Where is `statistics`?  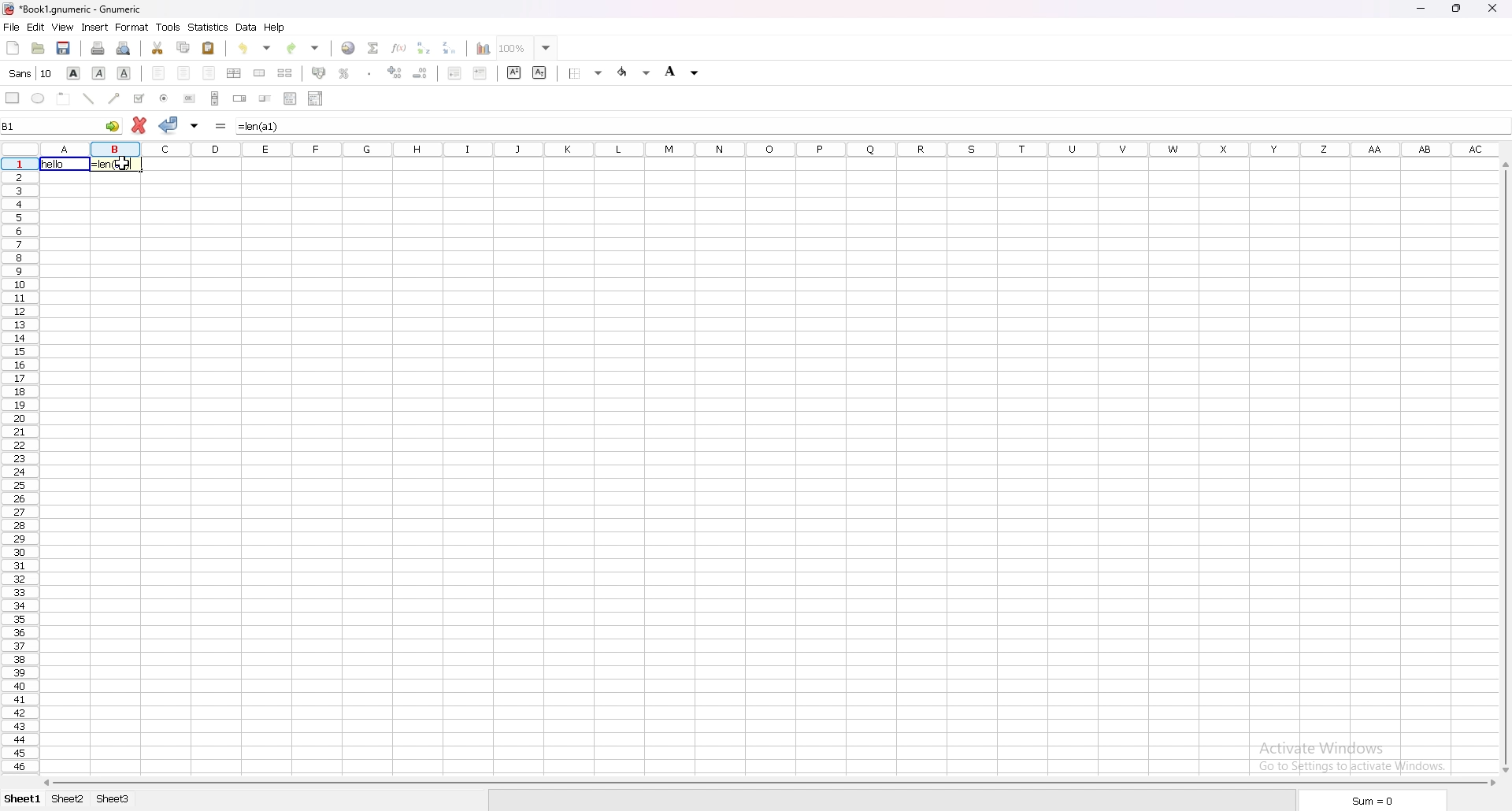
statistics is located at coordinates (209, 28).